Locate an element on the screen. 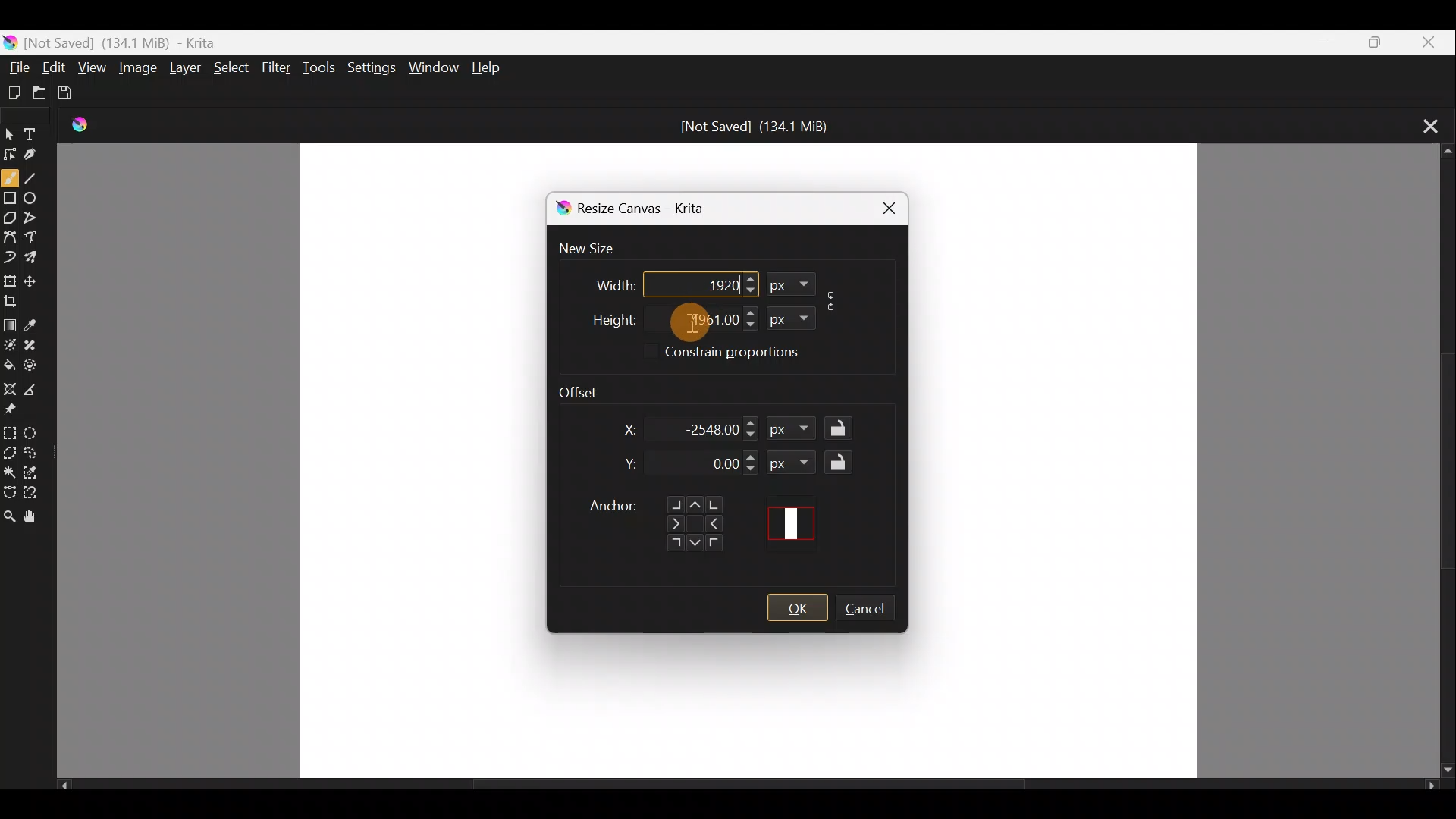  Elliptical selection tool is located at coordinates (36, 435).